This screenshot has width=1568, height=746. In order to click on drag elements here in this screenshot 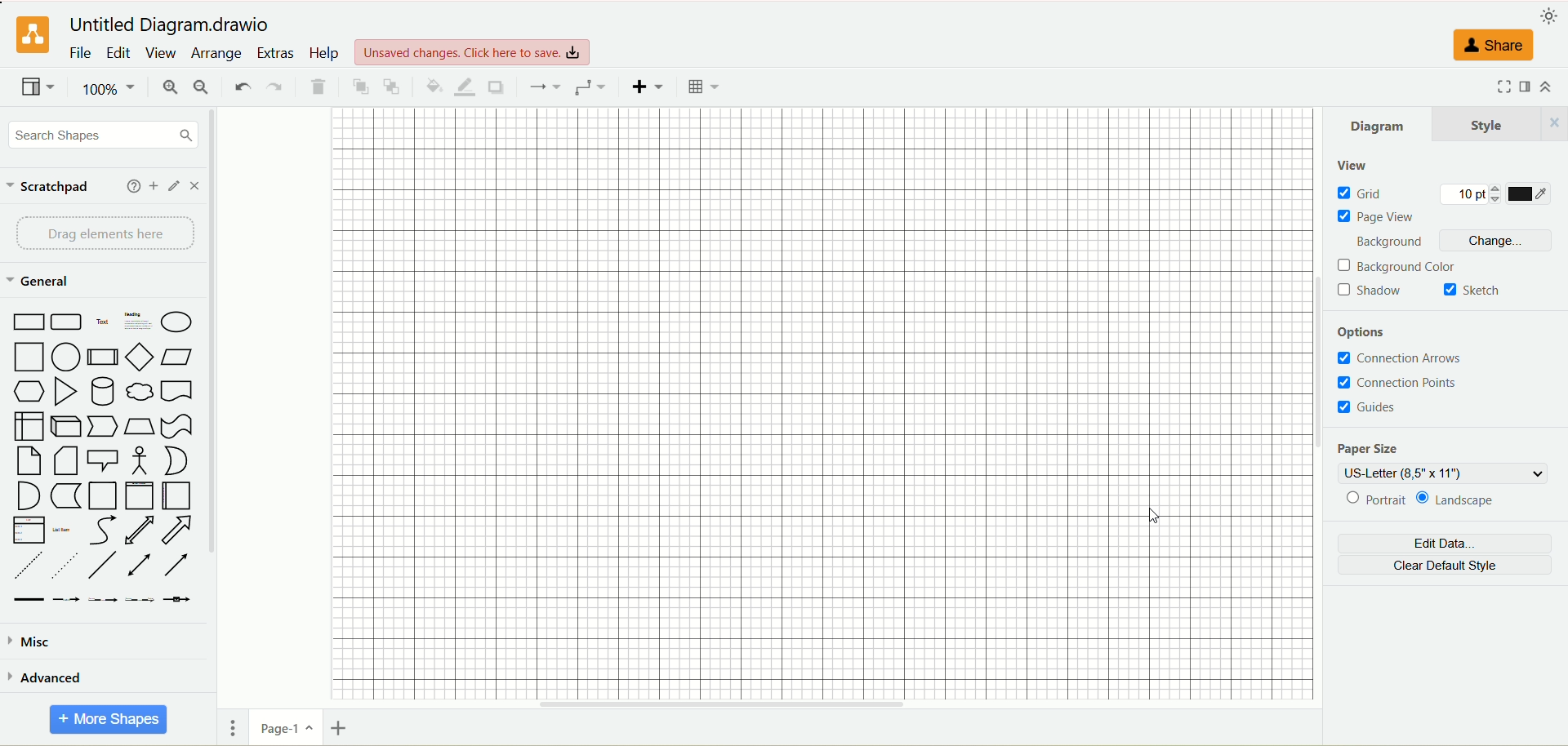, I will do `click(109, 233)`.